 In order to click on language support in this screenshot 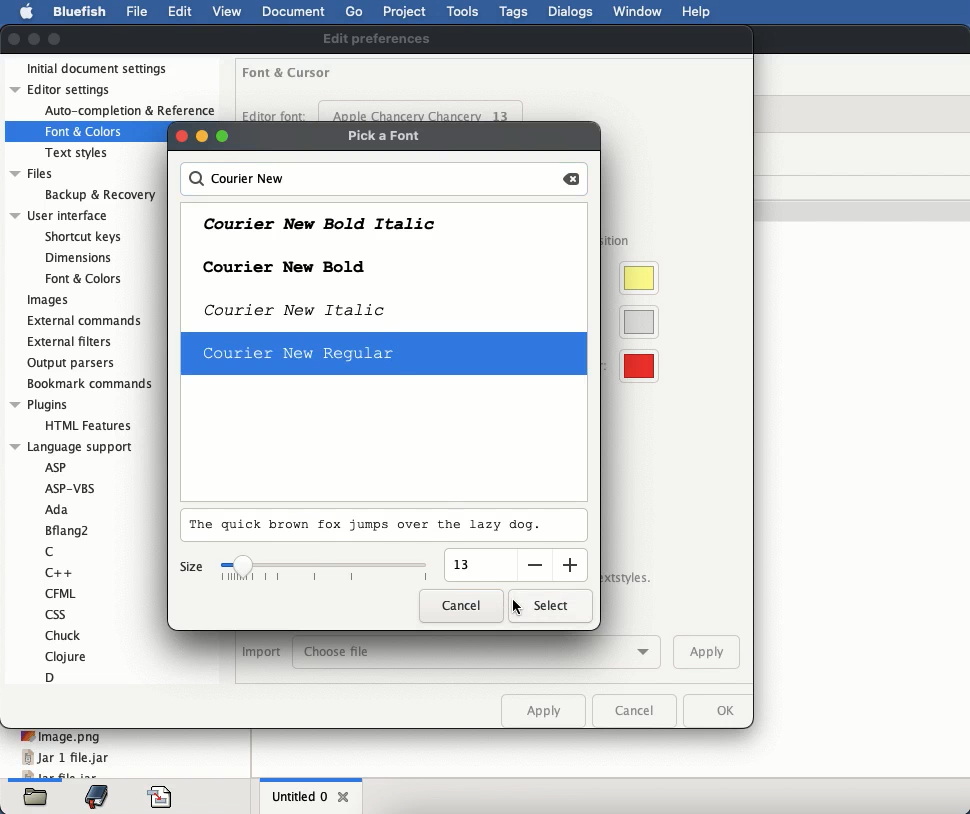, I will do `click(84, 563)`.